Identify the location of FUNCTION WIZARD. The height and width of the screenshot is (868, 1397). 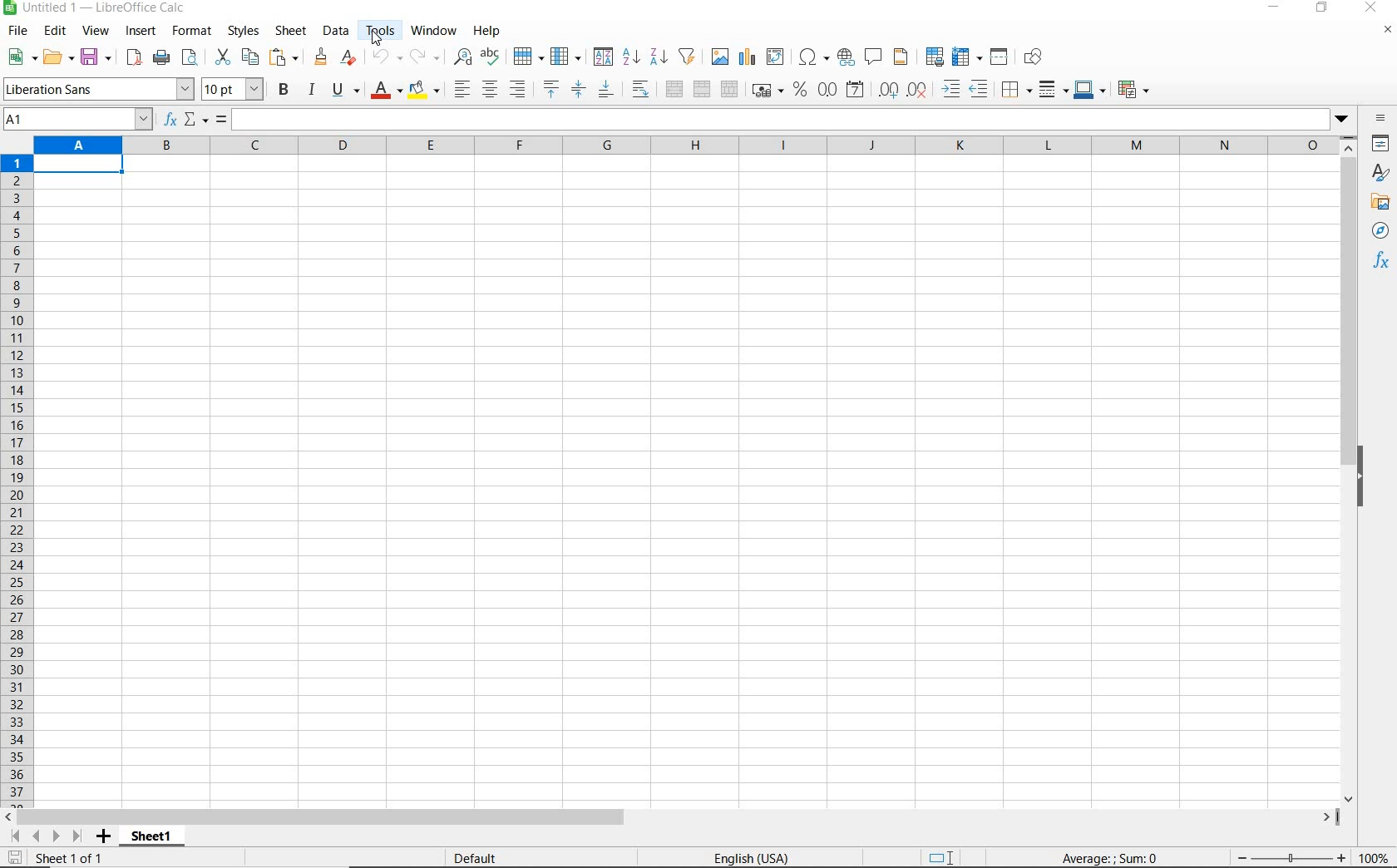
(169, 121).